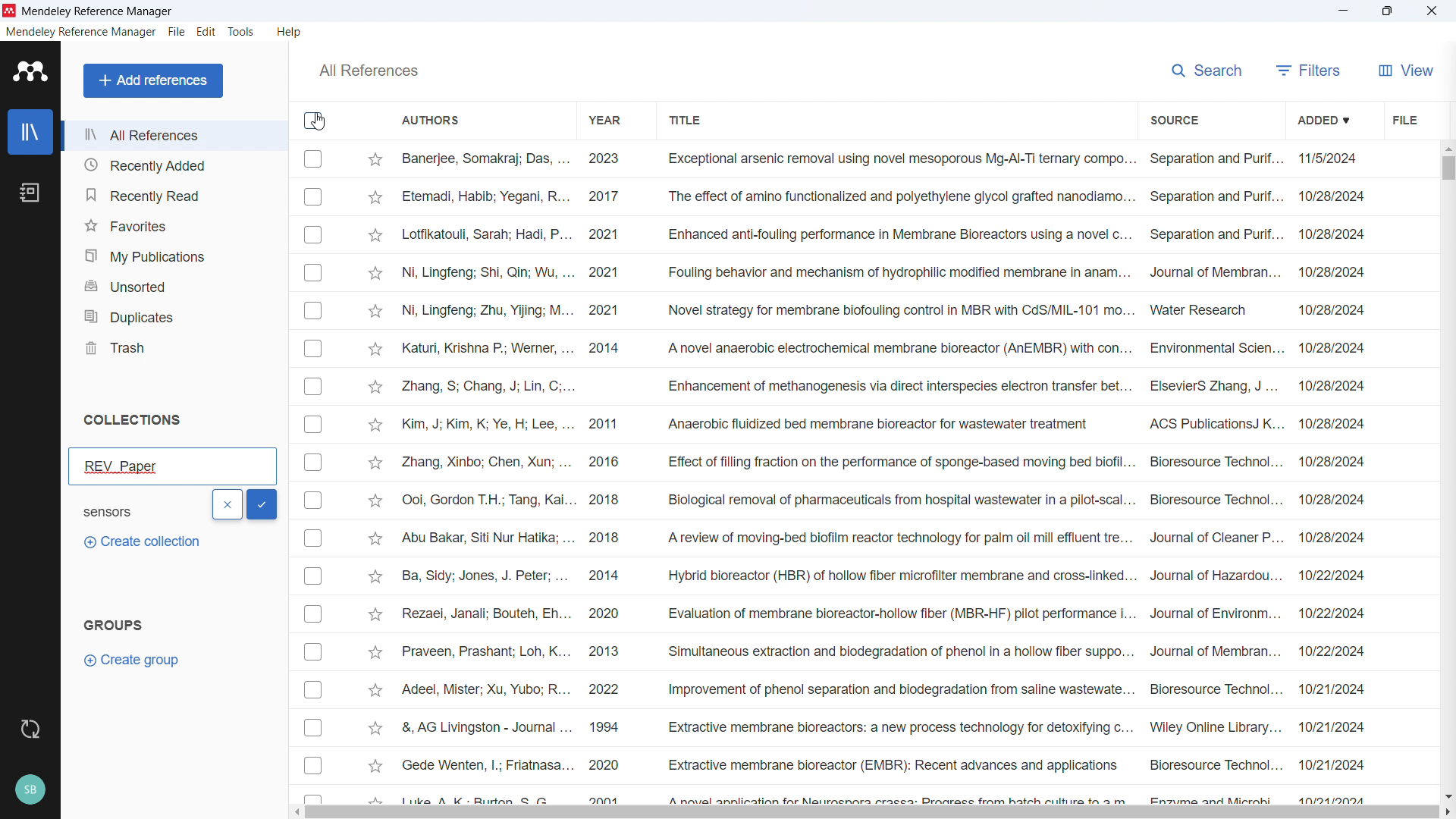 The height and width of the screenshot is (819, 1456). What do you see at coordinates (112, 624) in the screenshot?
I see `Groups ` at bounding box center [112, 624].